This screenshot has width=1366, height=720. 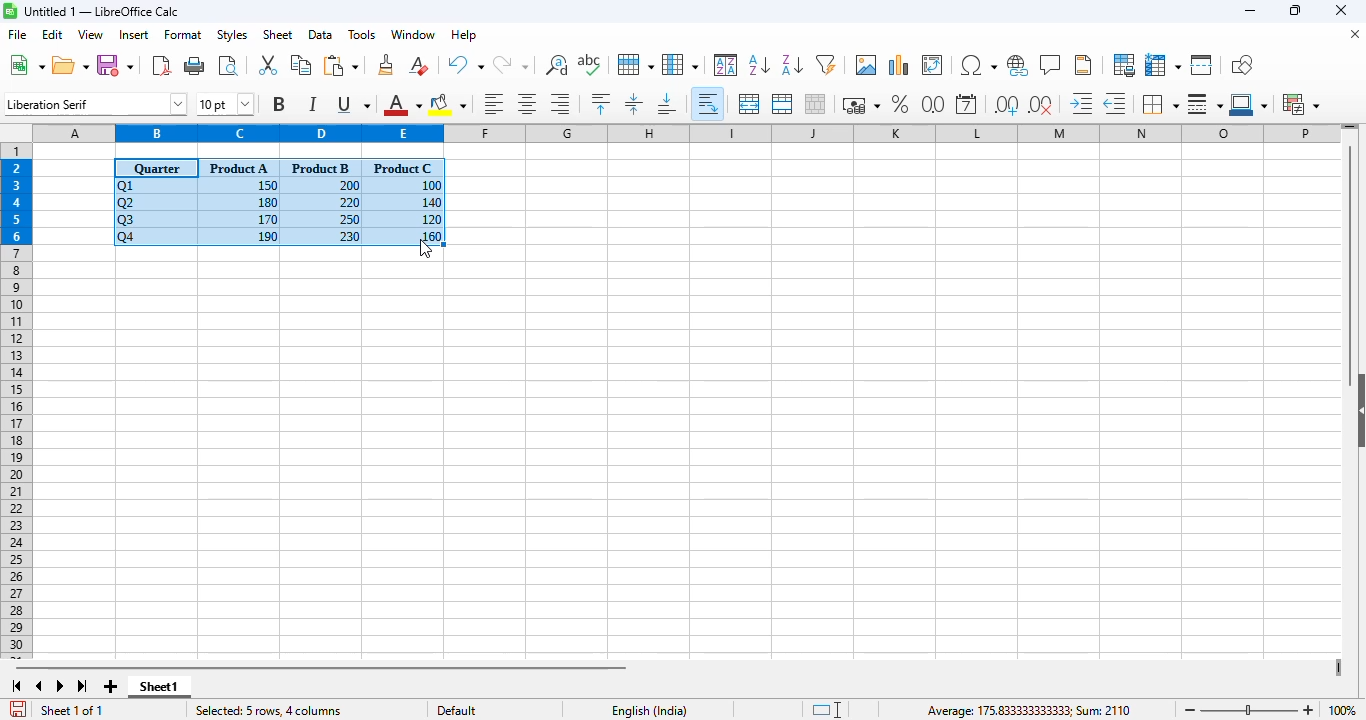 What do you see at coordinates (826, 64) in the screenshot?
I see `autofilter` at bounding box center [826, 64].